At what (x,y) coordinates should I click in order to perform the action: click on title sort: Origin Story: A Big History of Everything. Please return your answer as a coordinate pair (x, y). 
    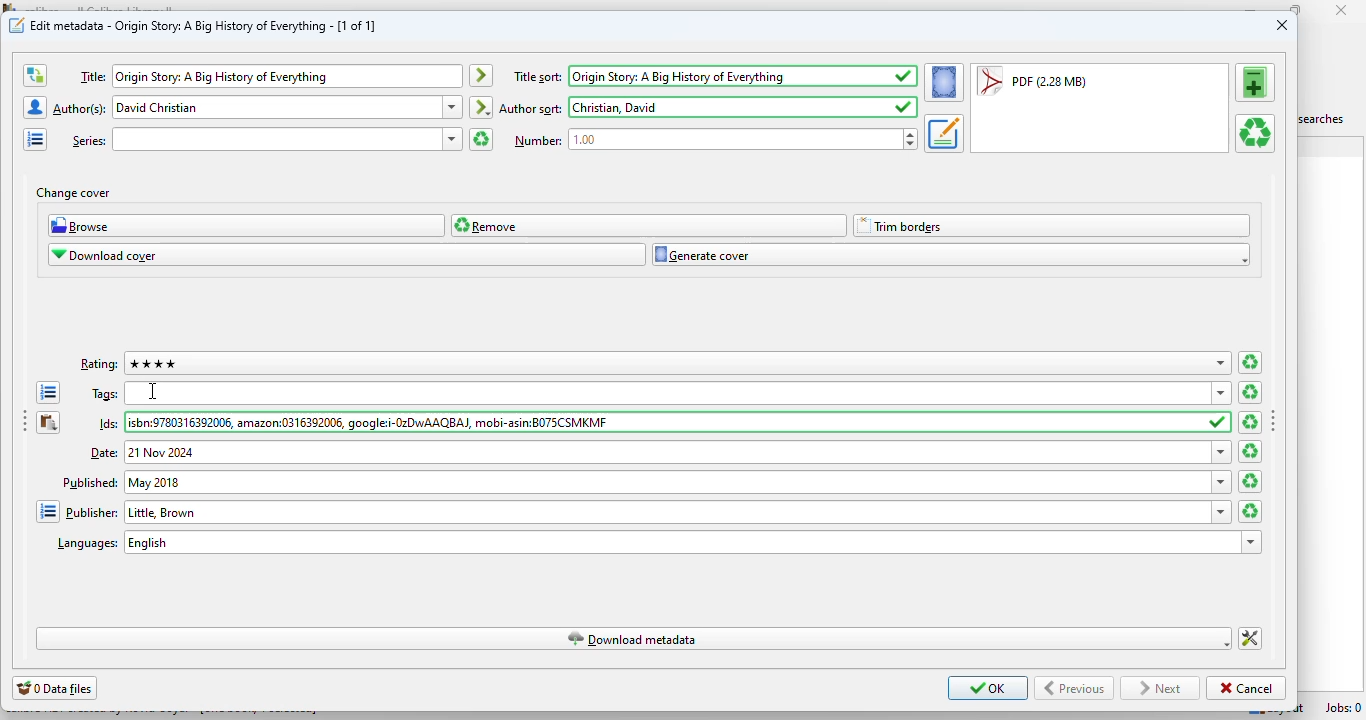
    Looking at the image, I should click on (728, 76).